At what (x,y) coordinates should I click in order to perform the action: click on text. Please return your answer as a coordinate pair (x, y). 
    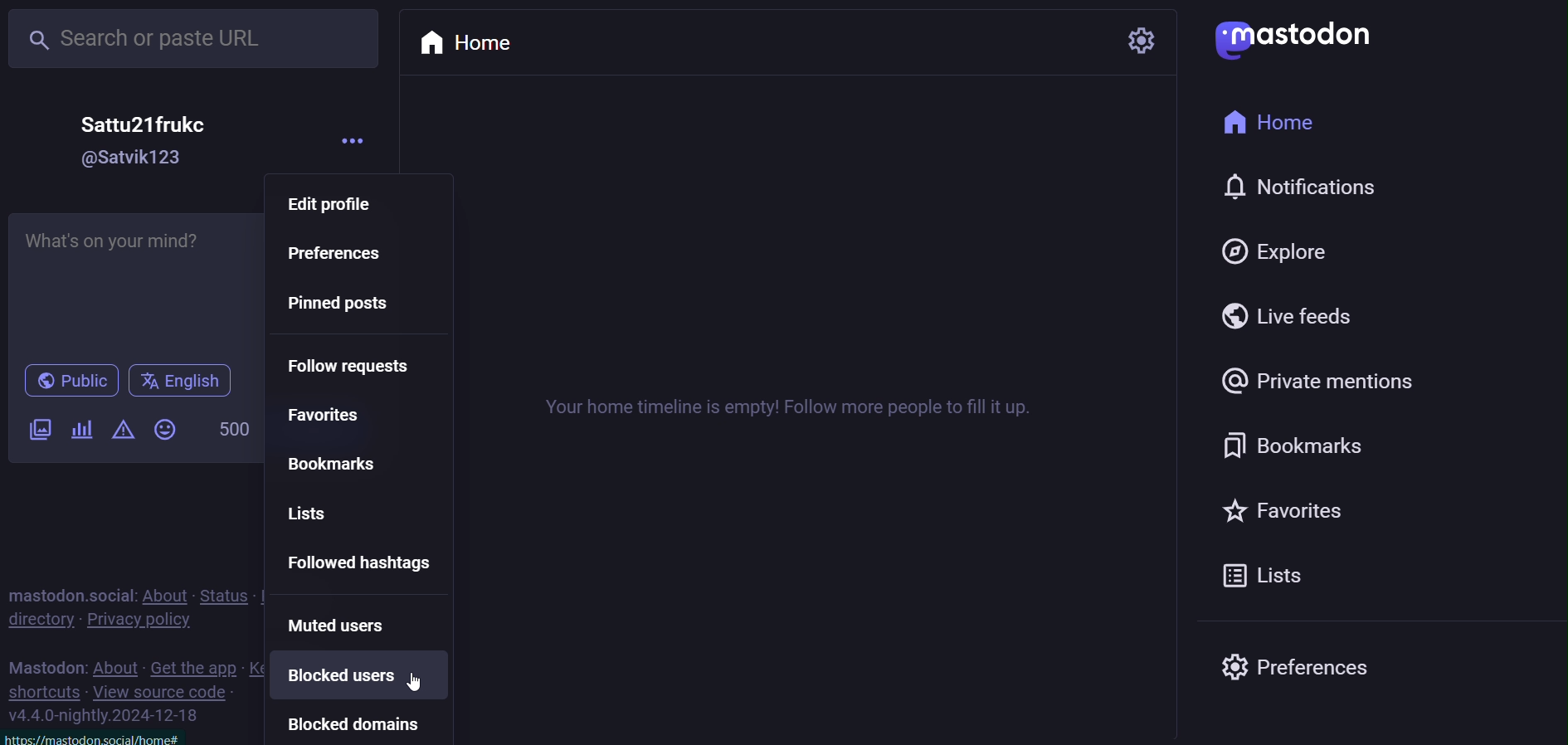
    Looking at the image, I should click on (45, 665).